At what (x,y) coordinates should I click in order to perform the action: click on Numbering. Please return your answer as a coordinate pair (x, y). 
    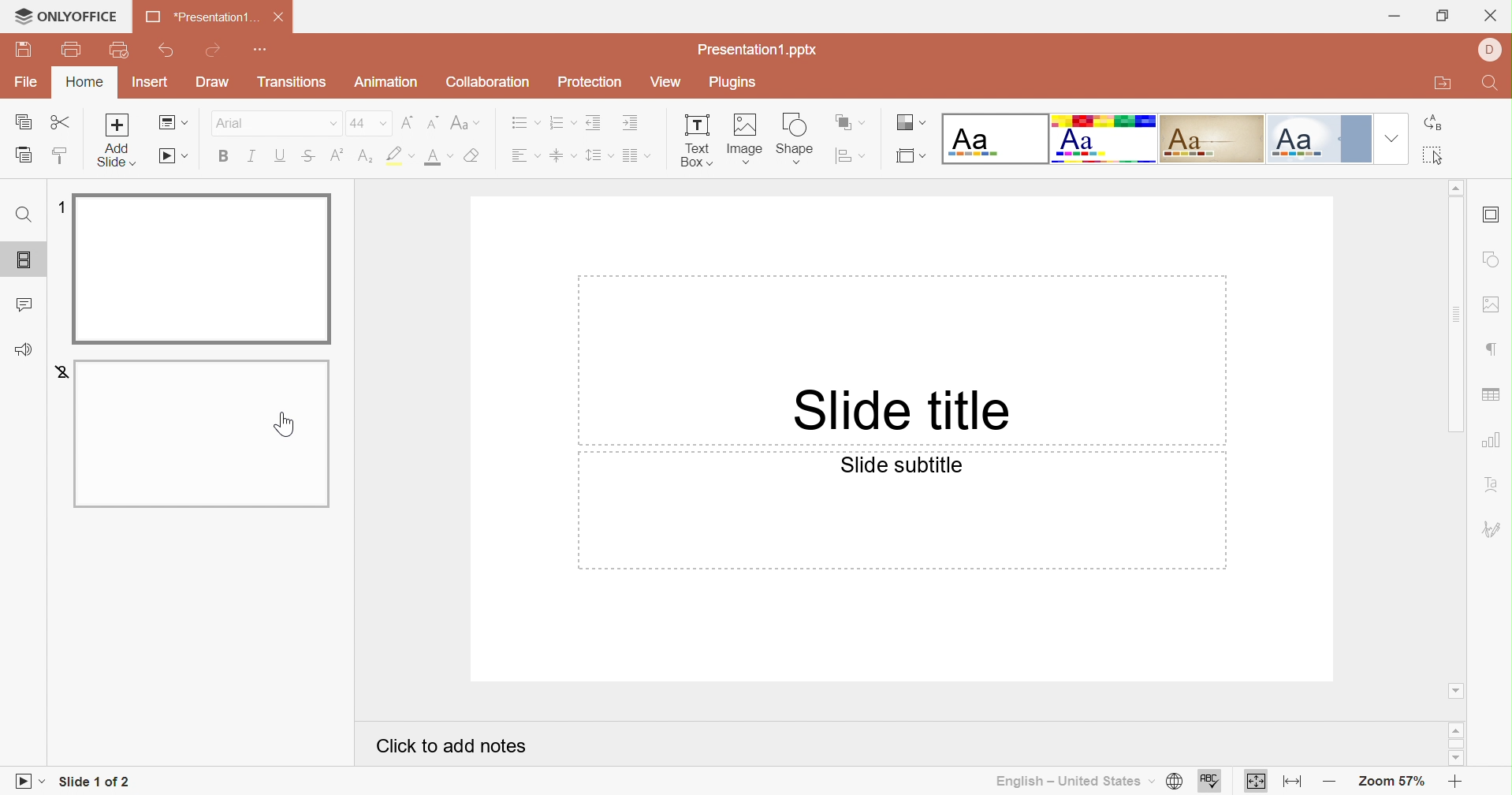
    Looking at the image, I should click on (562, 123).